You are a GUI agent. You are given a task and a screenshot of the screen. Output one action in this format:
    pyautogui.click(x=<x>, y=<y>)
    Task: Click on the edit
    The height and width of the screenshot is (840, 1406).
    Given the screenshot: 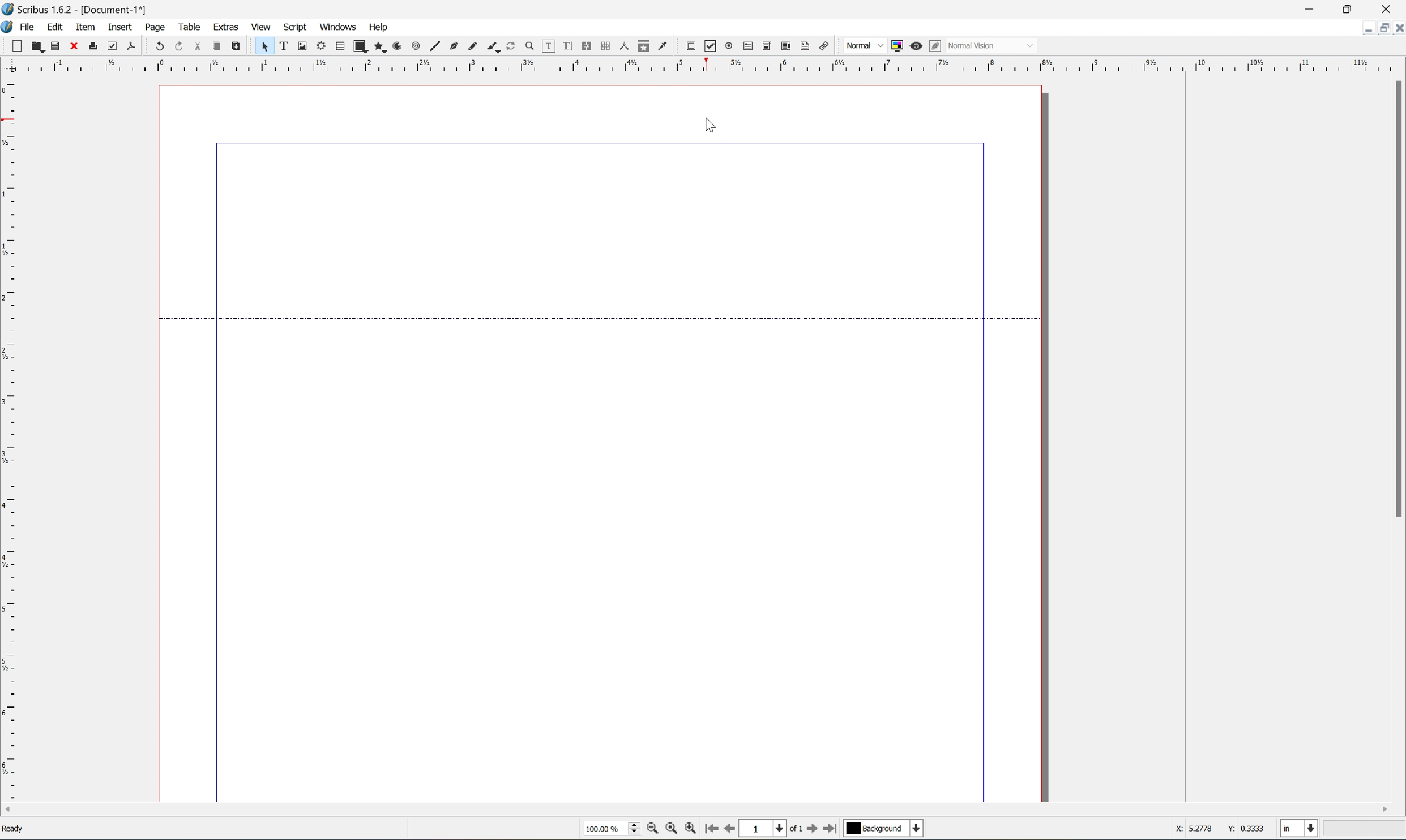 What is the action you would take?
    pyautogui.click(x=52, y=25)
    